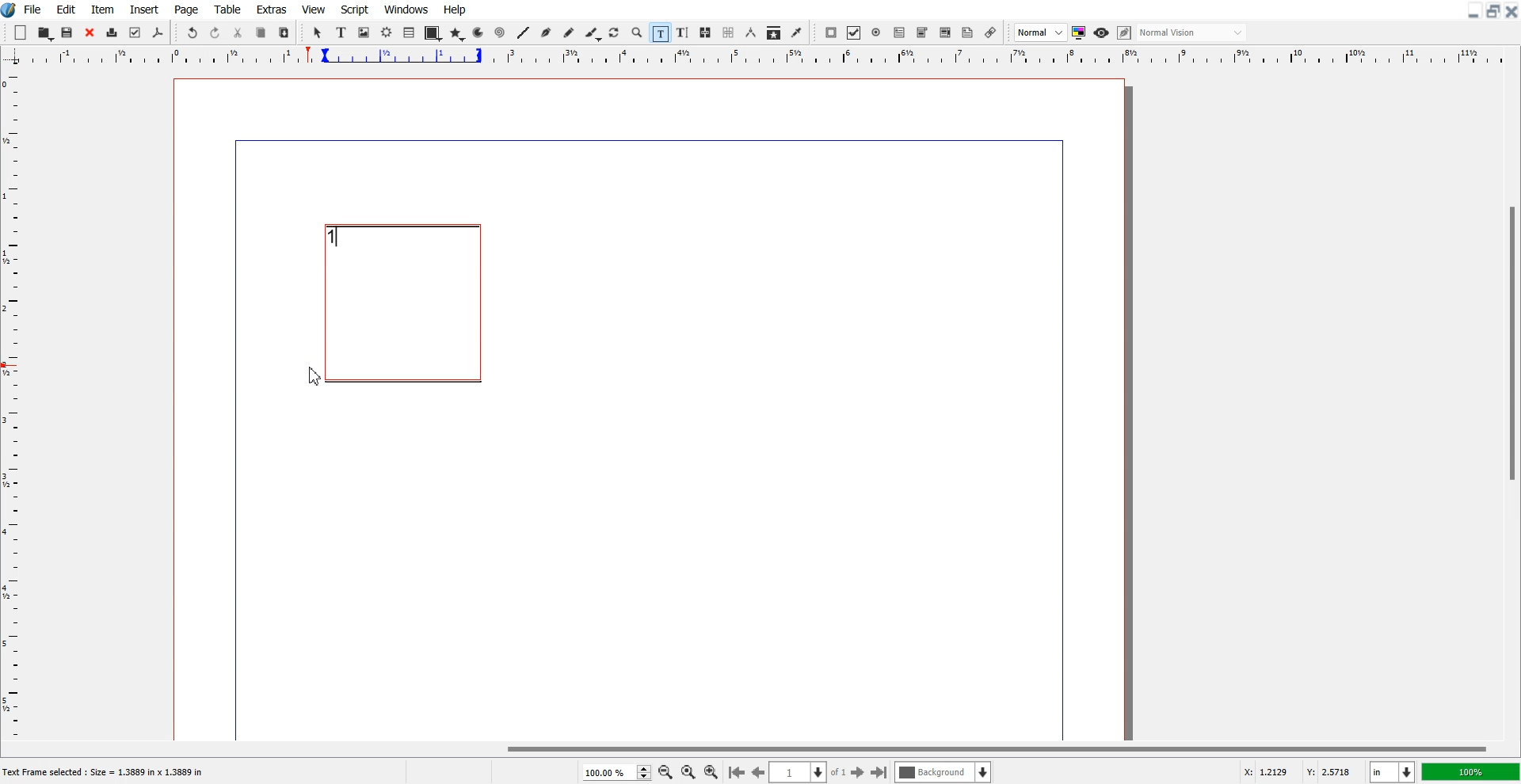 The image size is (1521, 784). Describe the element at coordinates (899, 32) in the screenshot. I see `PDF Text Box` at that location.